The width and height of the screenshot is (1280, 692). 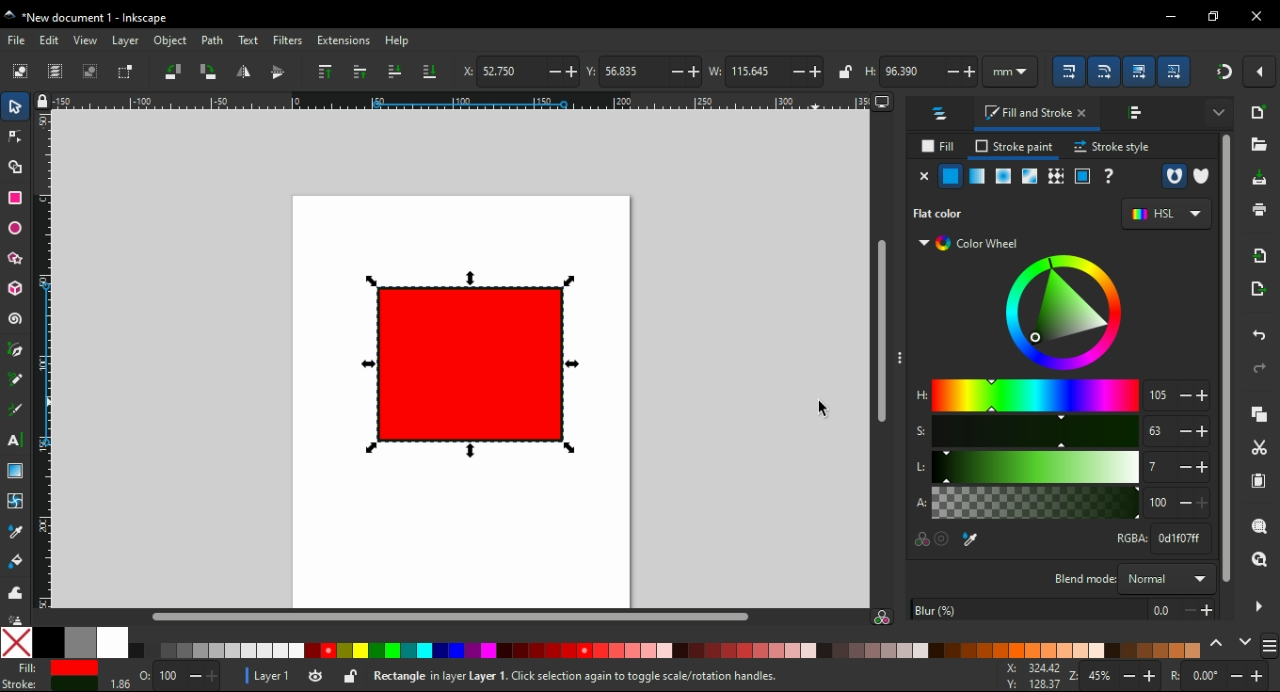 I want to click on alpha (opacity), so click(x=1035, y=503).